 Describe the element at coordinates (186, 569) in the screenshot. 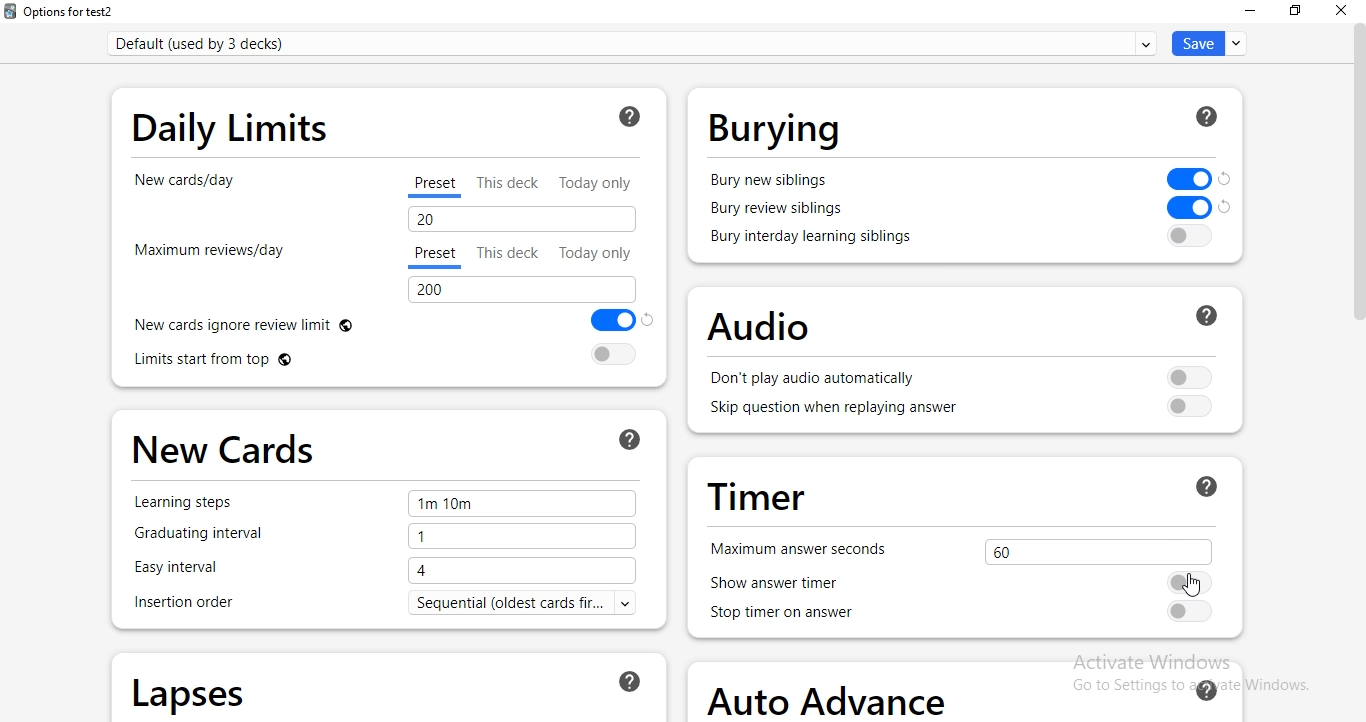

I see `Easy interval` at that location.